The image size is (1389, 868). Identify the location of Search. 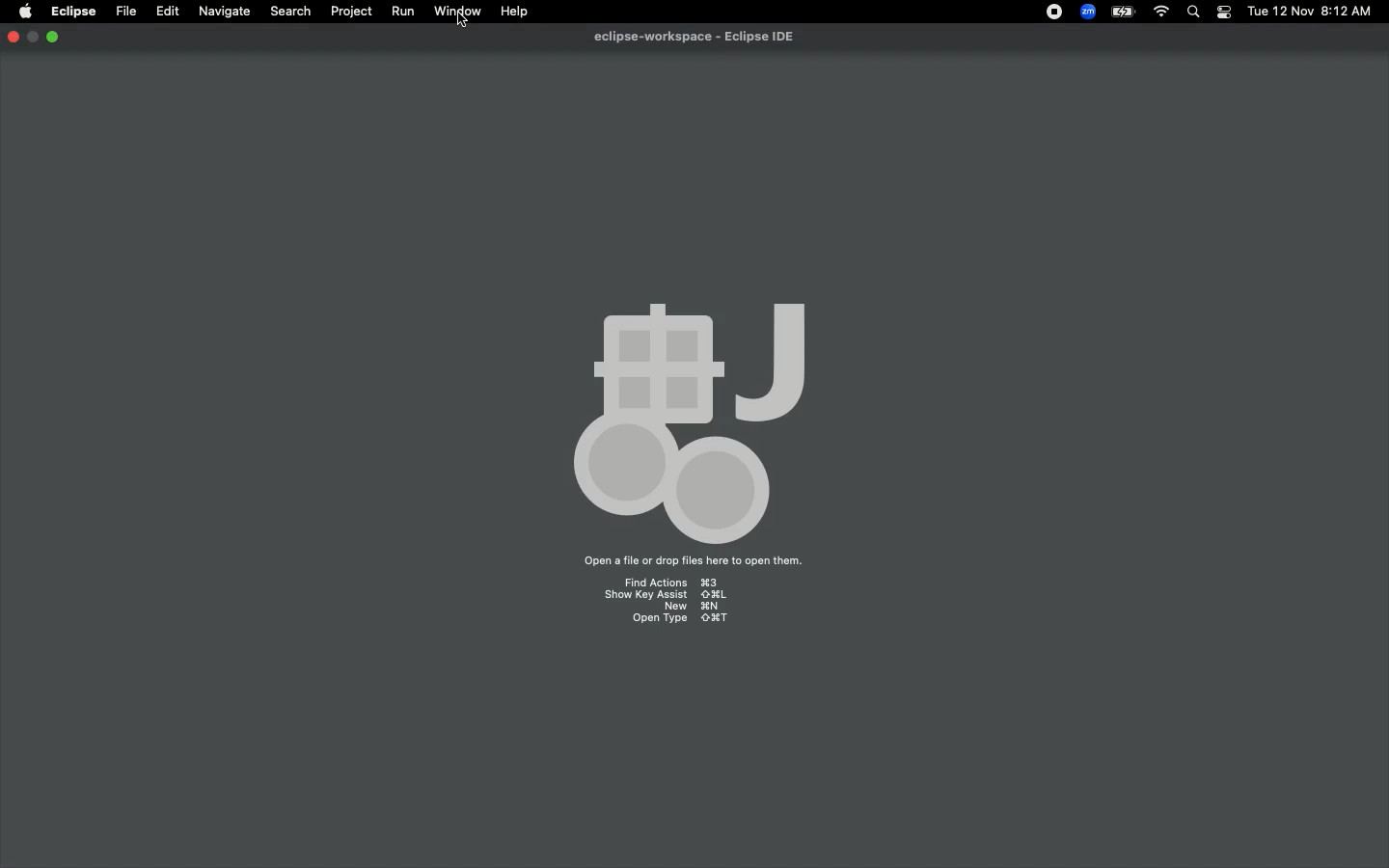
(289, 10).